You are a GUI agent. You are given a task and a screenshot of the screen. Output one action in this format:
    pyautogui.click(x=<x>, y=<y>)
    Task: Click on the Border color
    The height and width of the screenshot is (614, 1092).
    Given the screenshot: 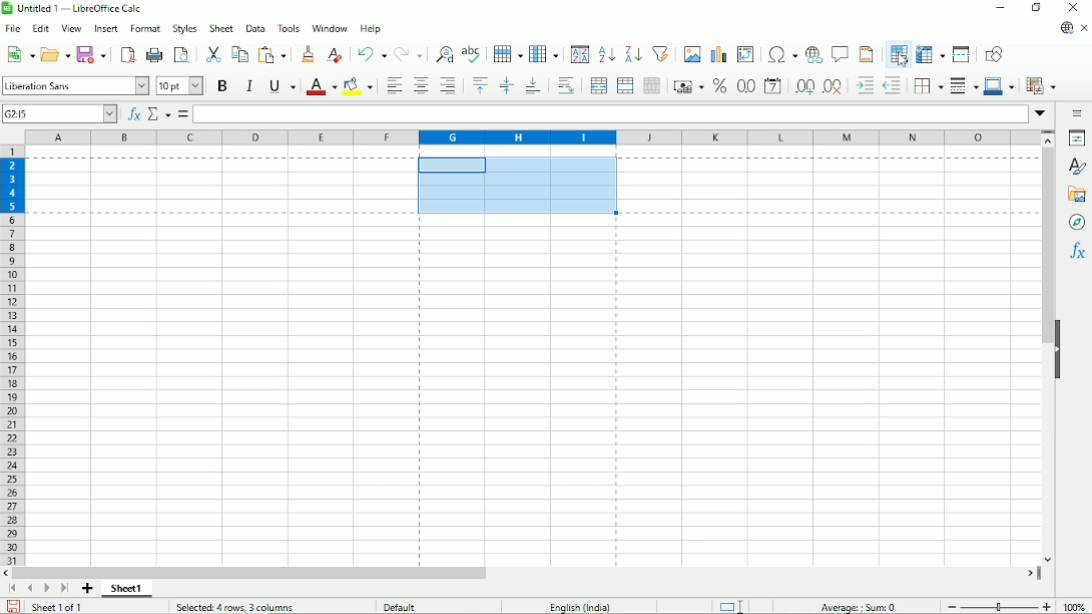 What is the action you would take?
    pyautogui.click(x=999, y=86)
    